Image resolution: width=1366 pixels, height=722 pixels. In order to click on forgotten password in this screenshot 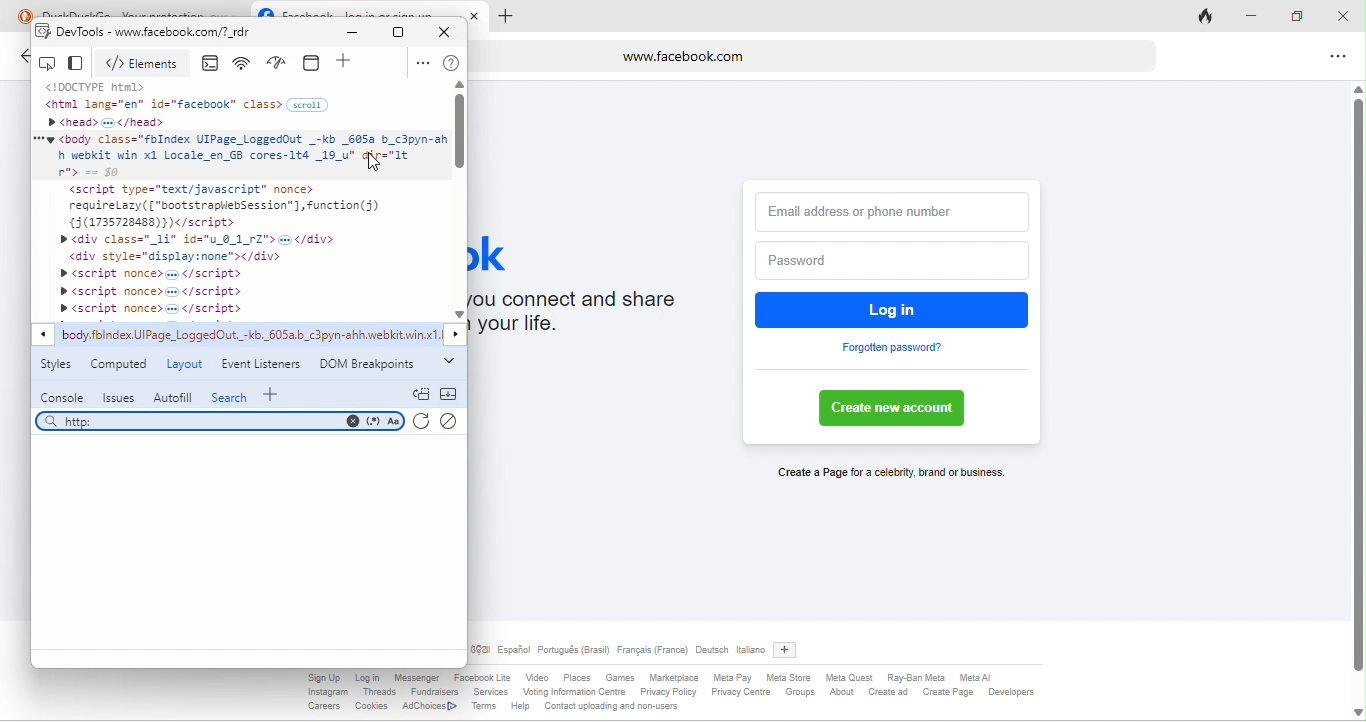, I will do `click(893, 348)`.